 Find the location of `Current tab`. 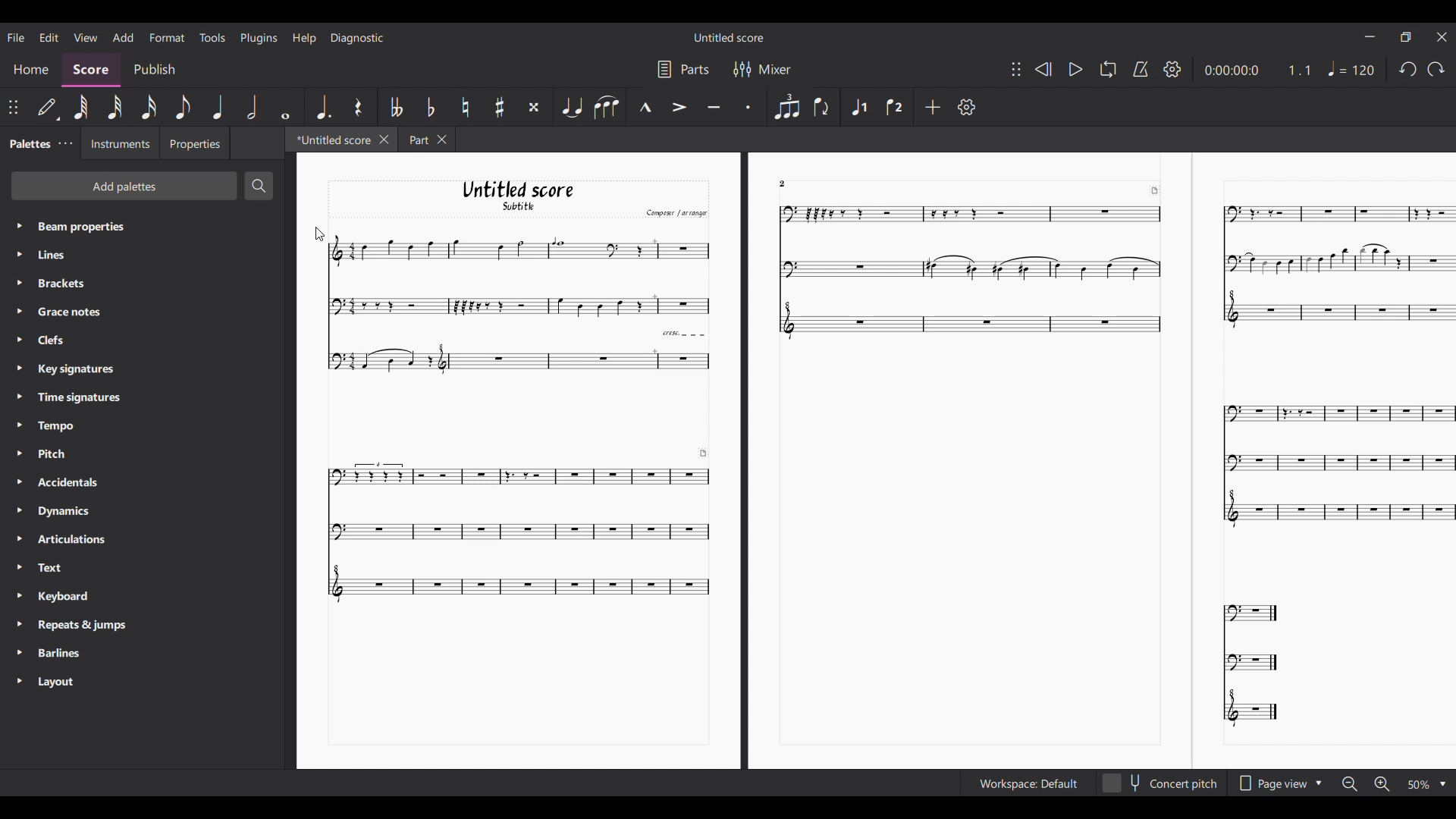

Current tab is located at coordinates (331, 139).